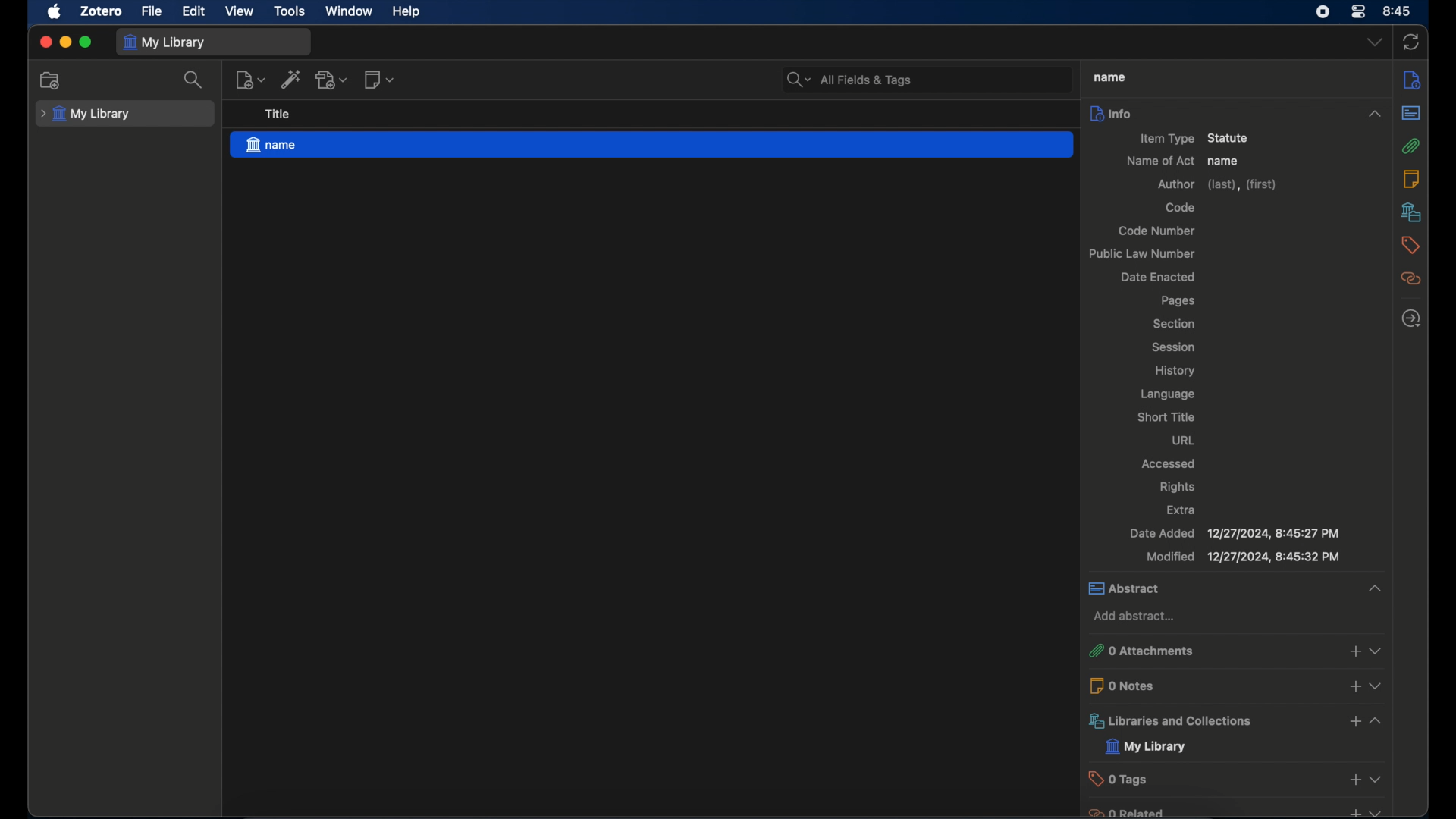 This screenshot has height=819, width=1456. Describe the element at coordinates (652, 145) in the screenshot. I see `name` at that location.